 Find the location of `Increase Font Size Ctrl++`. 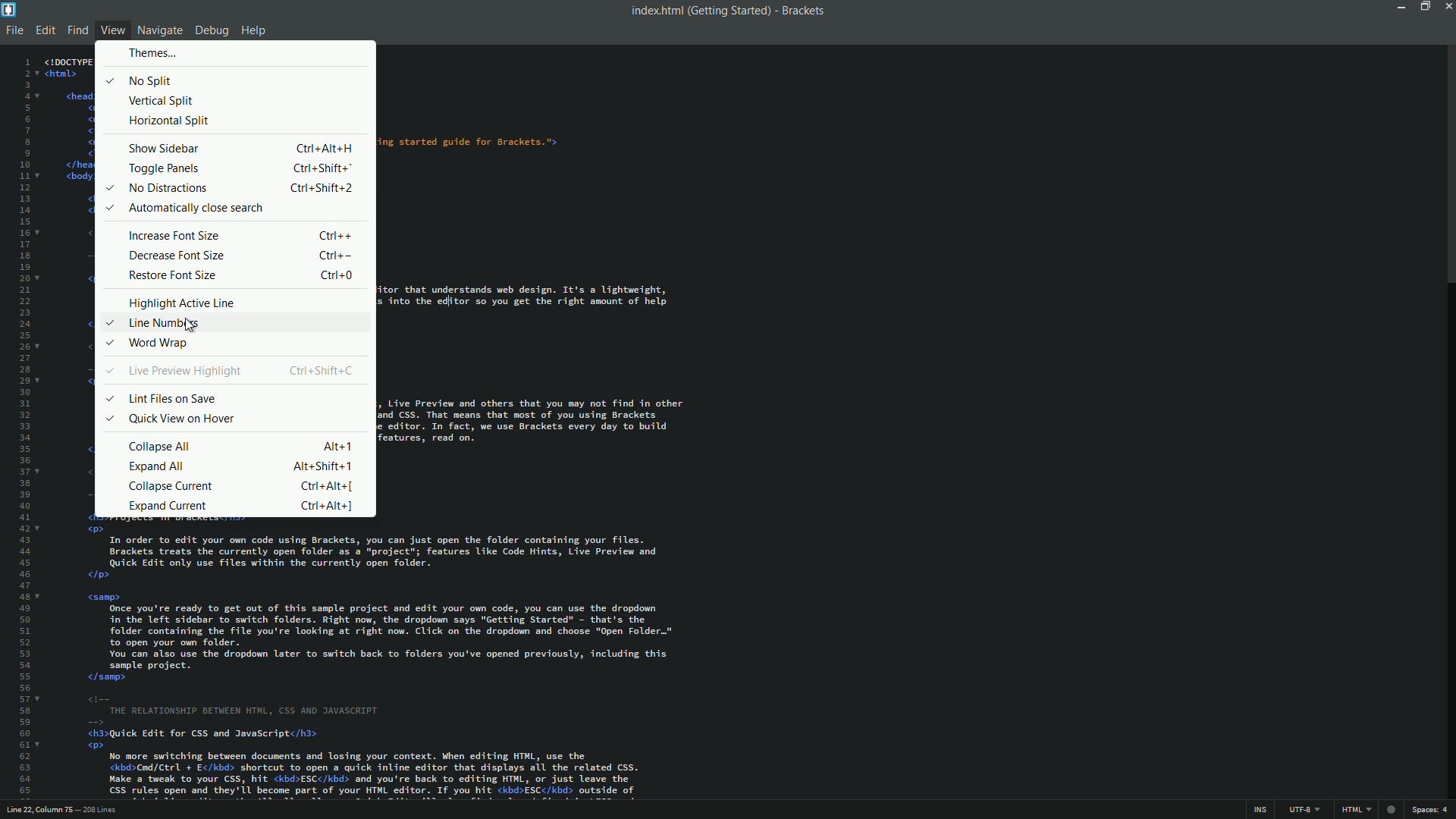

Increase Font Size Ctrl++ is located at coordinates (240, 234).